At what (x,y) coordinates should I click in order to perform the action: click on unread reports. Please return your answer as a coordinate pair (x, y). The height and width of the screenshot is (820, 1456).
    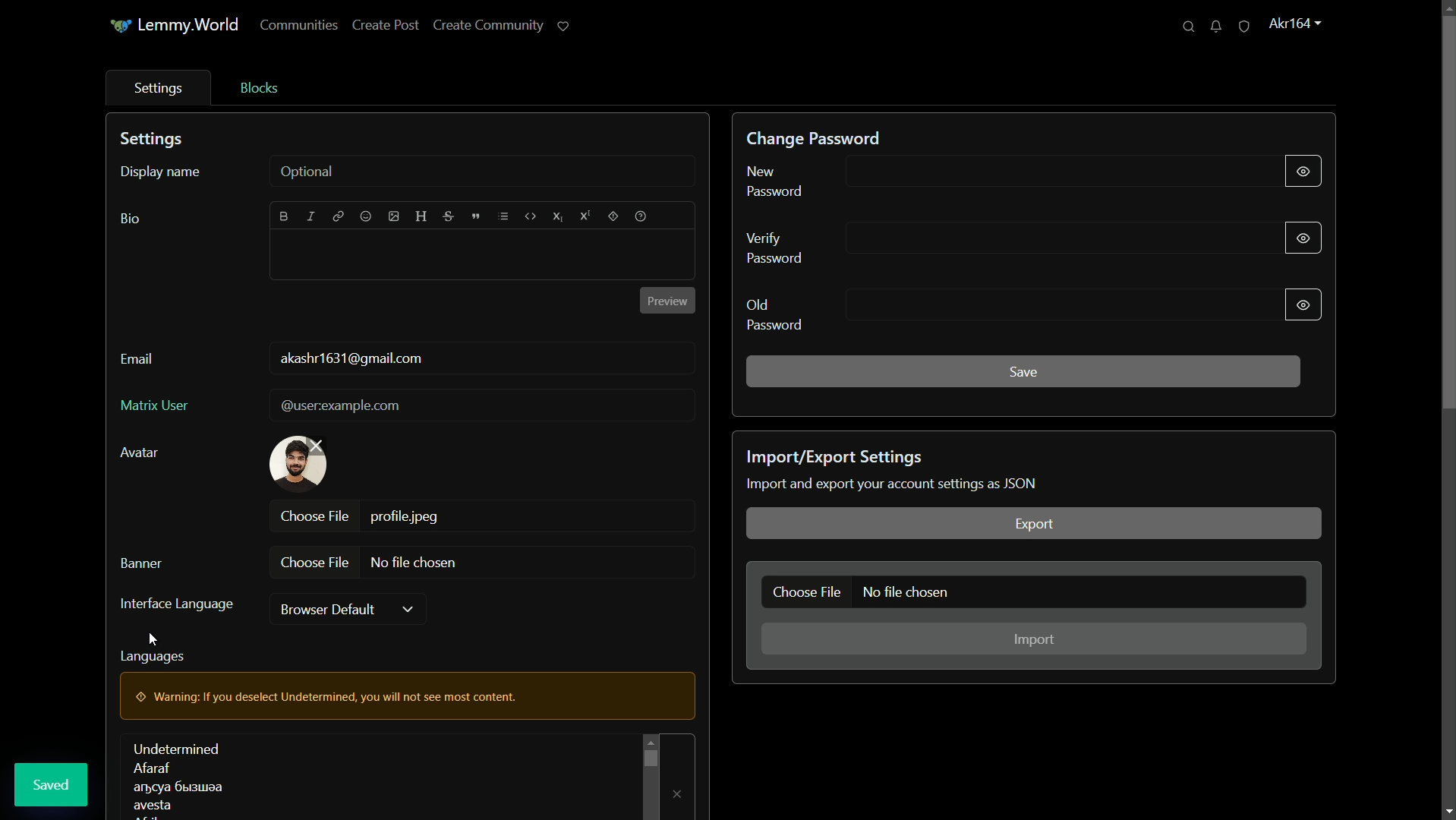
    Looking at the image, I should click on (1243, 27).